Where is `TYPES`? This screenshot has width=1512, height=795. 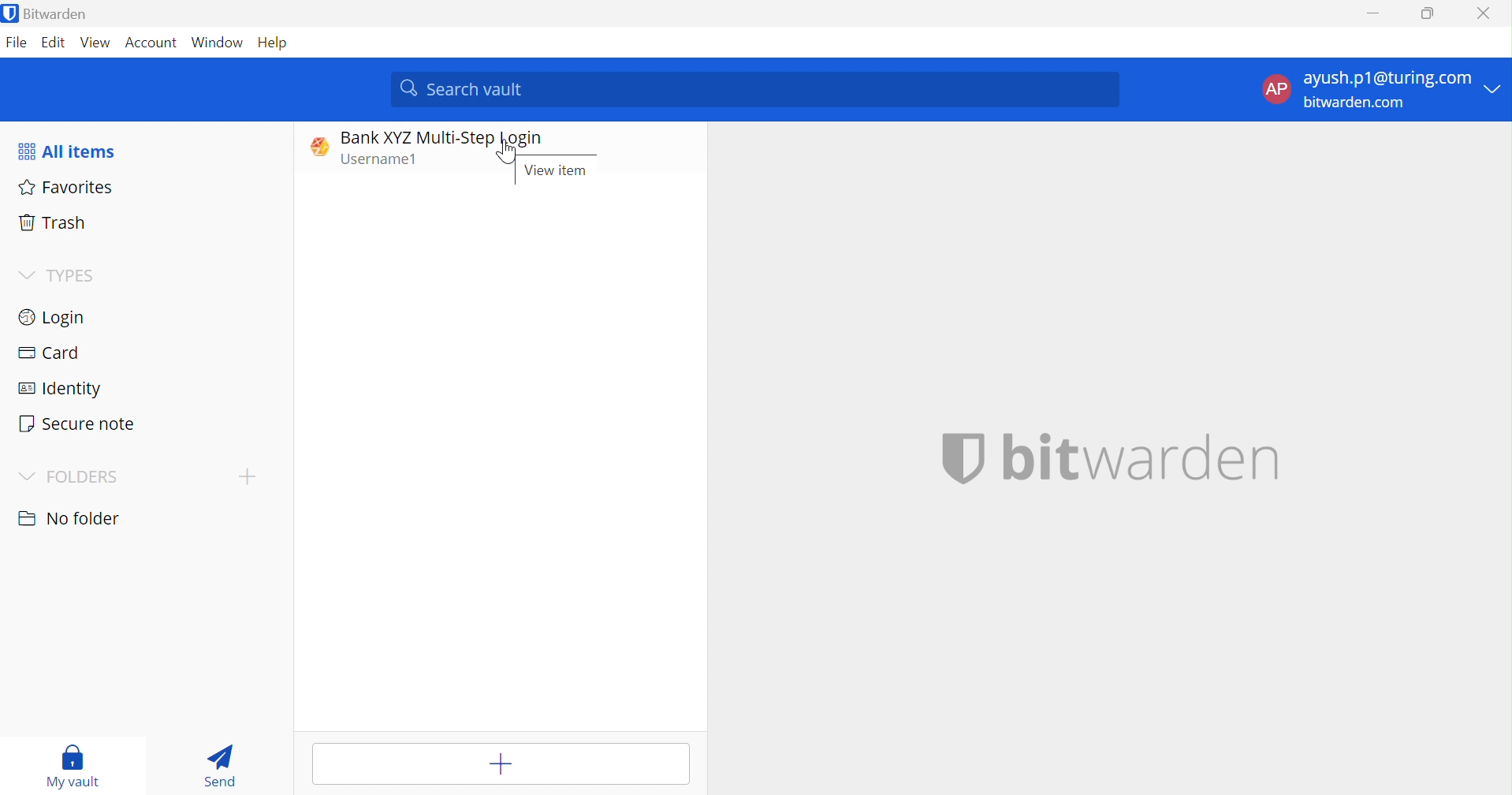 TYPES is located at coordinates (76, 275).